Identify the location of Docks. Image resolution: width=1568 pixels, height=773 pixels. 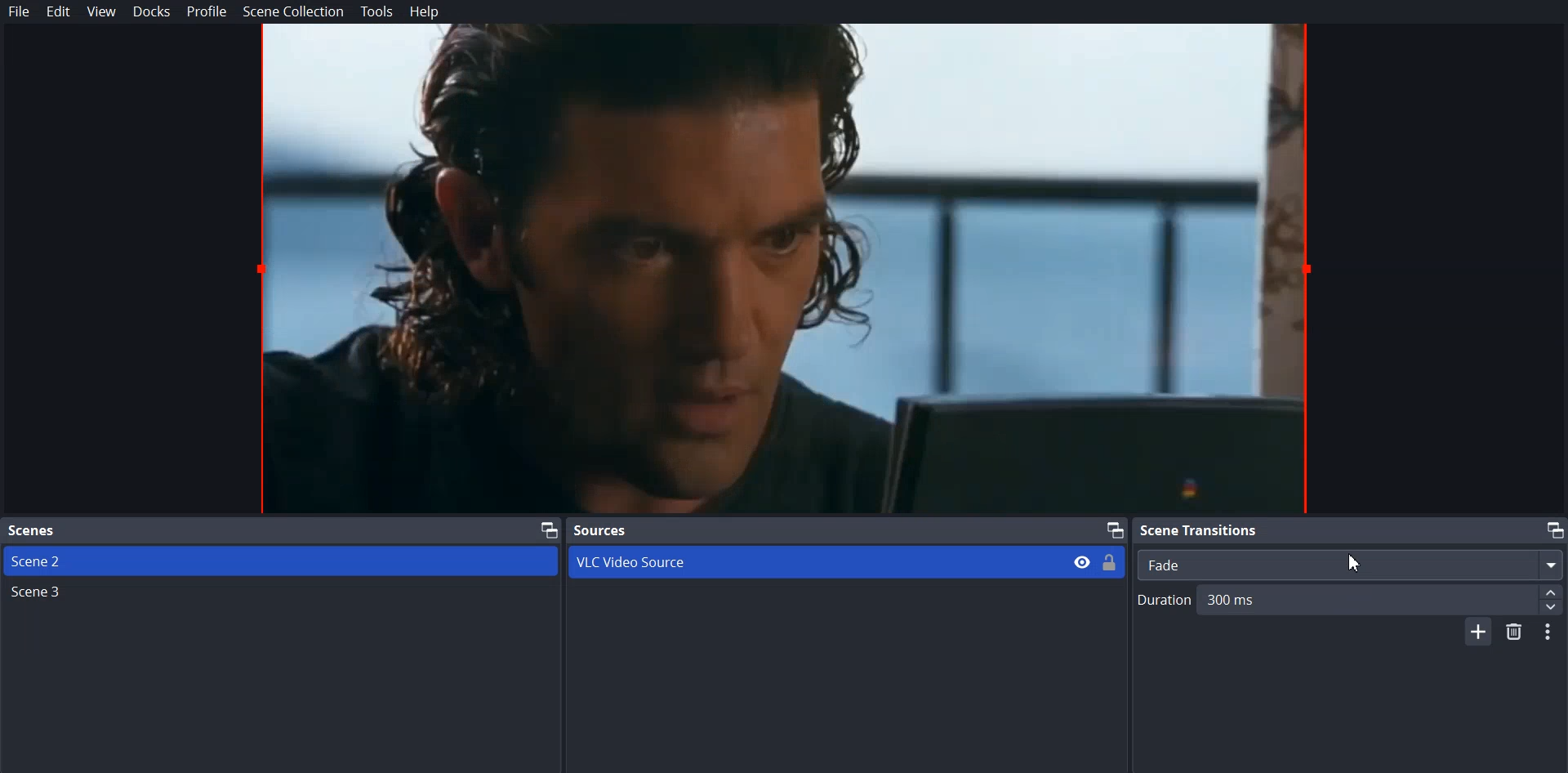
(151, 12).